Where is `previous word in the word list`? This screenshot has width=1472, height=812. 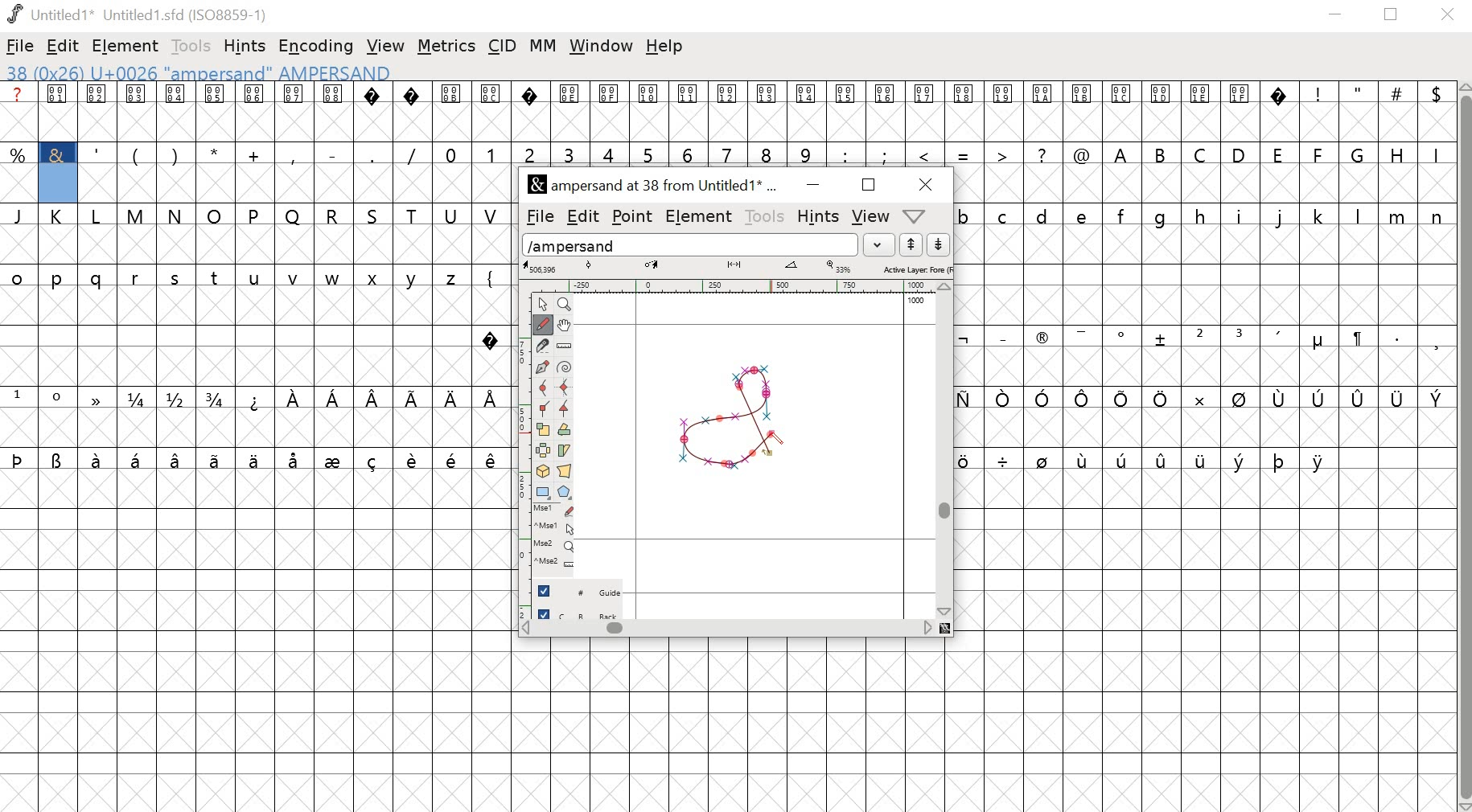
previous word in the word list is located at coordinates (911, 245).